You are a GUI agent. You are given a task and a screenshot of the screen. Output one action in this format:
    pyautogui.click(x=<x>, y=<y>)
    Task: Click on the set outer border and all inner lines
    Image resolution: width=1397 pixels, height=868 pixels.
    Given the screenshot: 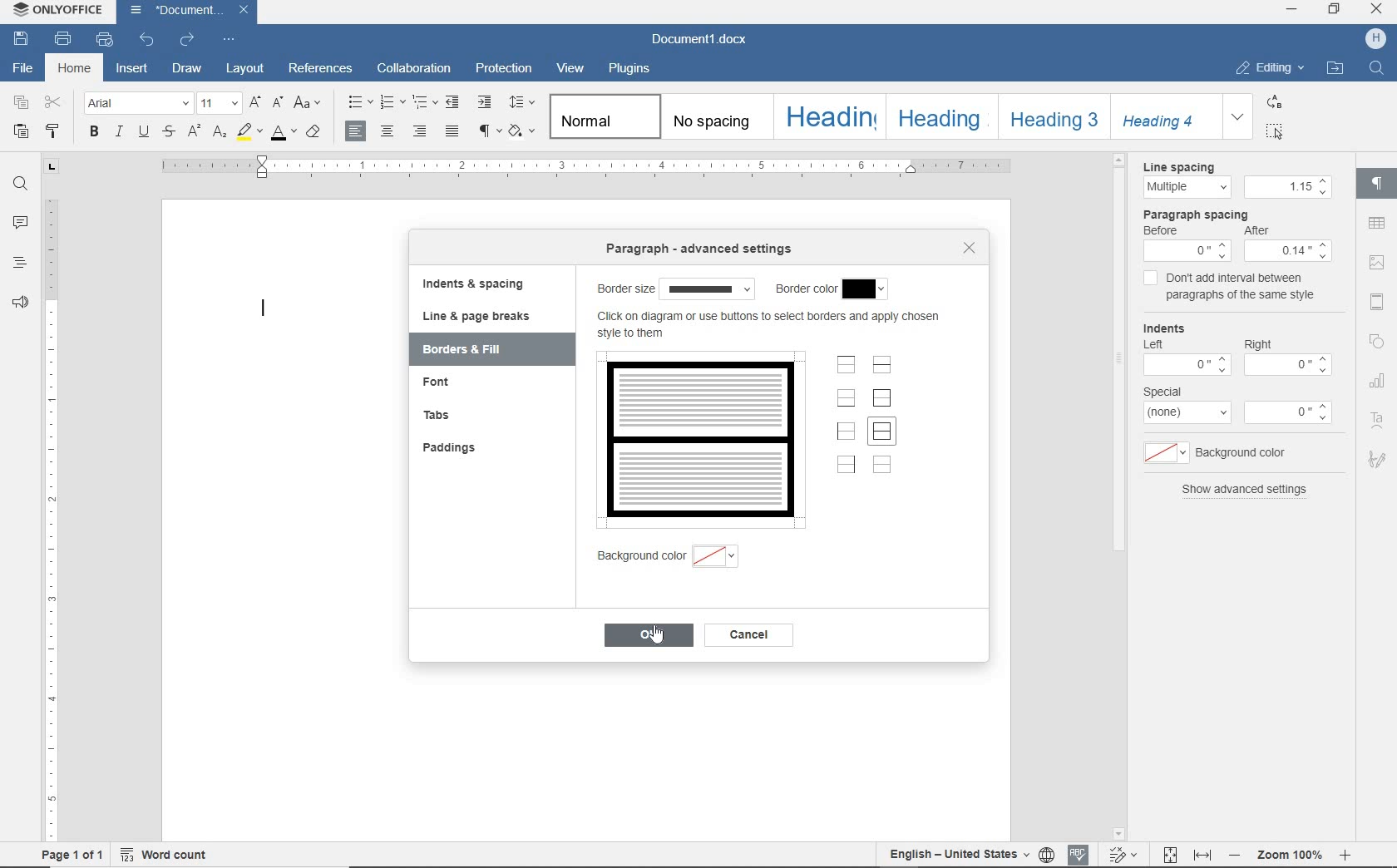 What is the action you would take?
    pyautogui.click(x=884, y=433)
    